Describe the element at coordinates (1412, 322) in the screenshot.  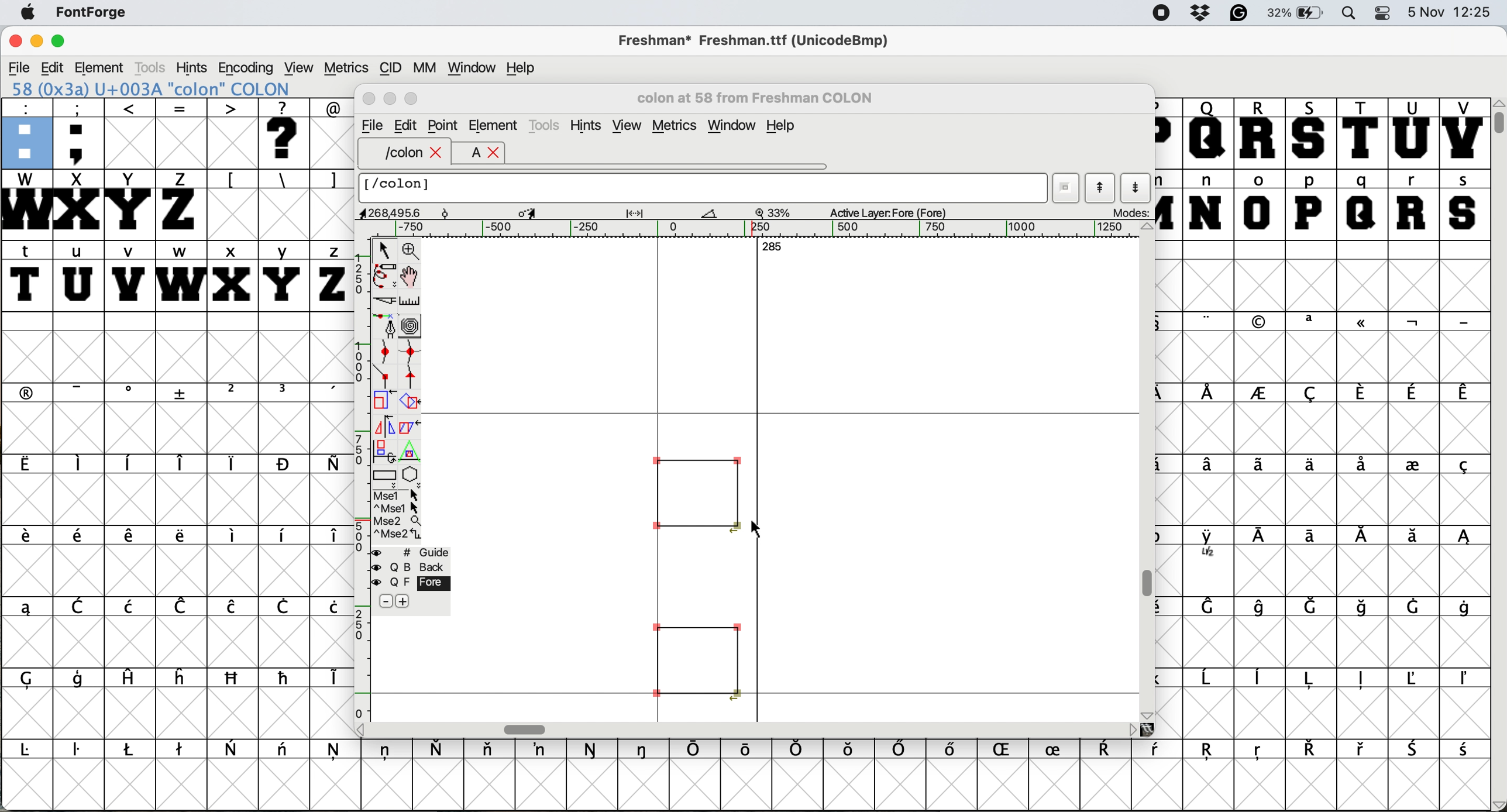
I see `symbol` at that location.